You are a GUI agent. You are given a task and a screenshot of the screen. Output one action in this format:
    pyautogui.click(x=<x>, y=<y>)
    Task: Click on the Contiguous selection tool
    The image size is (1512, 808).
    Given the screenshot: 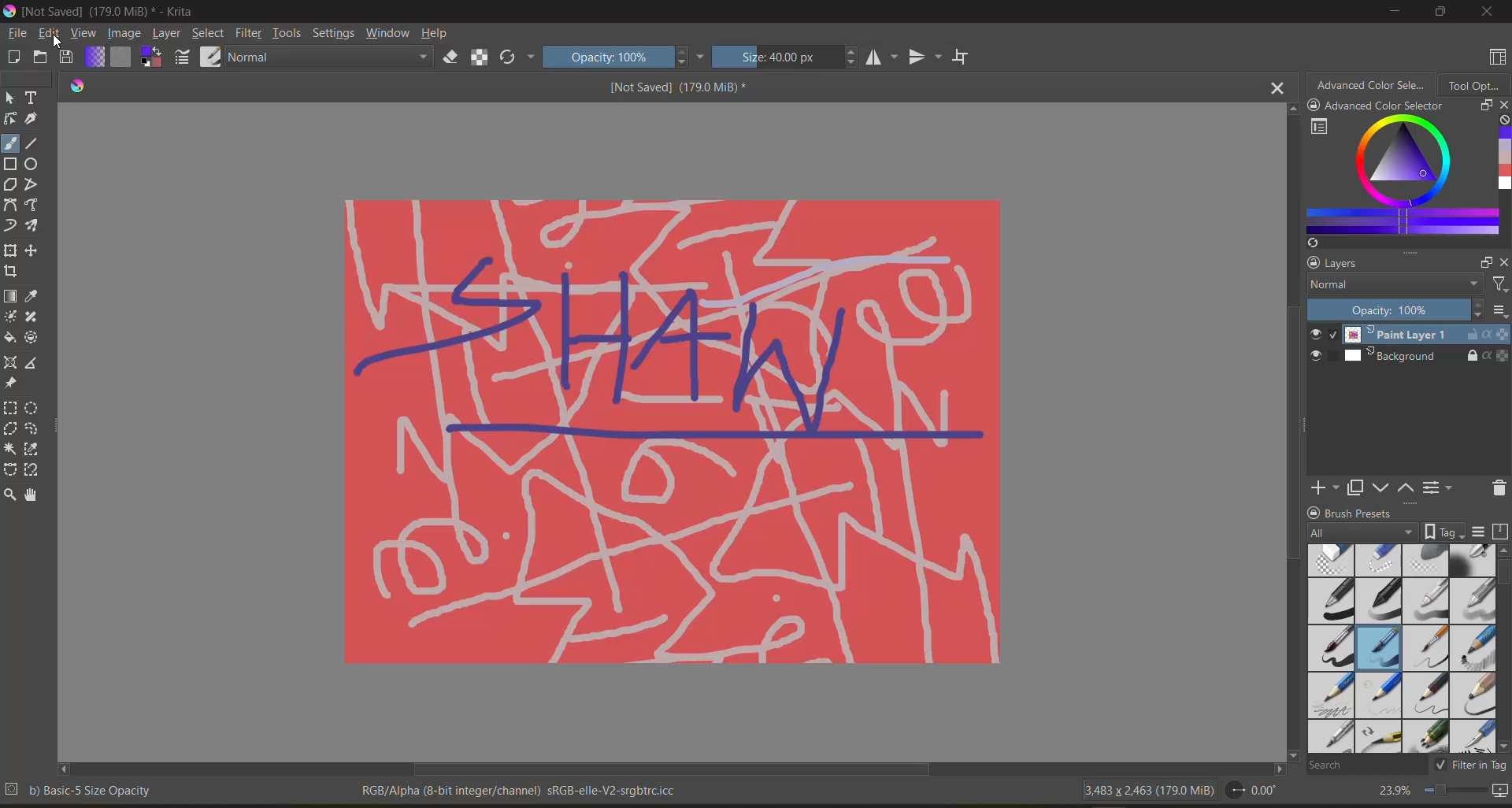 What is the action you would take?
    pyautogui.click(x=10, y=449)
    